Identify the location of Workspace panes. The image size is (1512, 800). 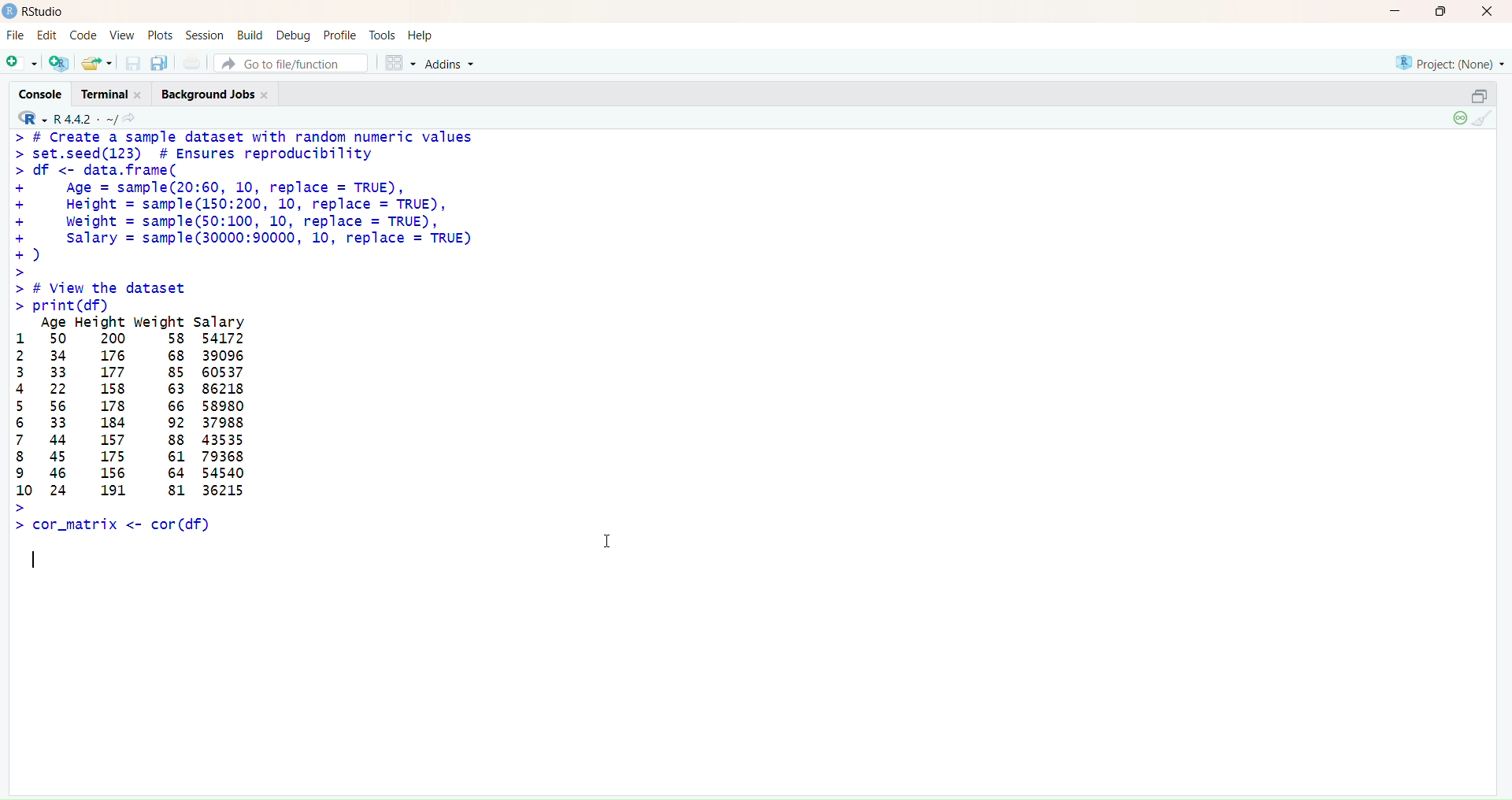
(397, 62).